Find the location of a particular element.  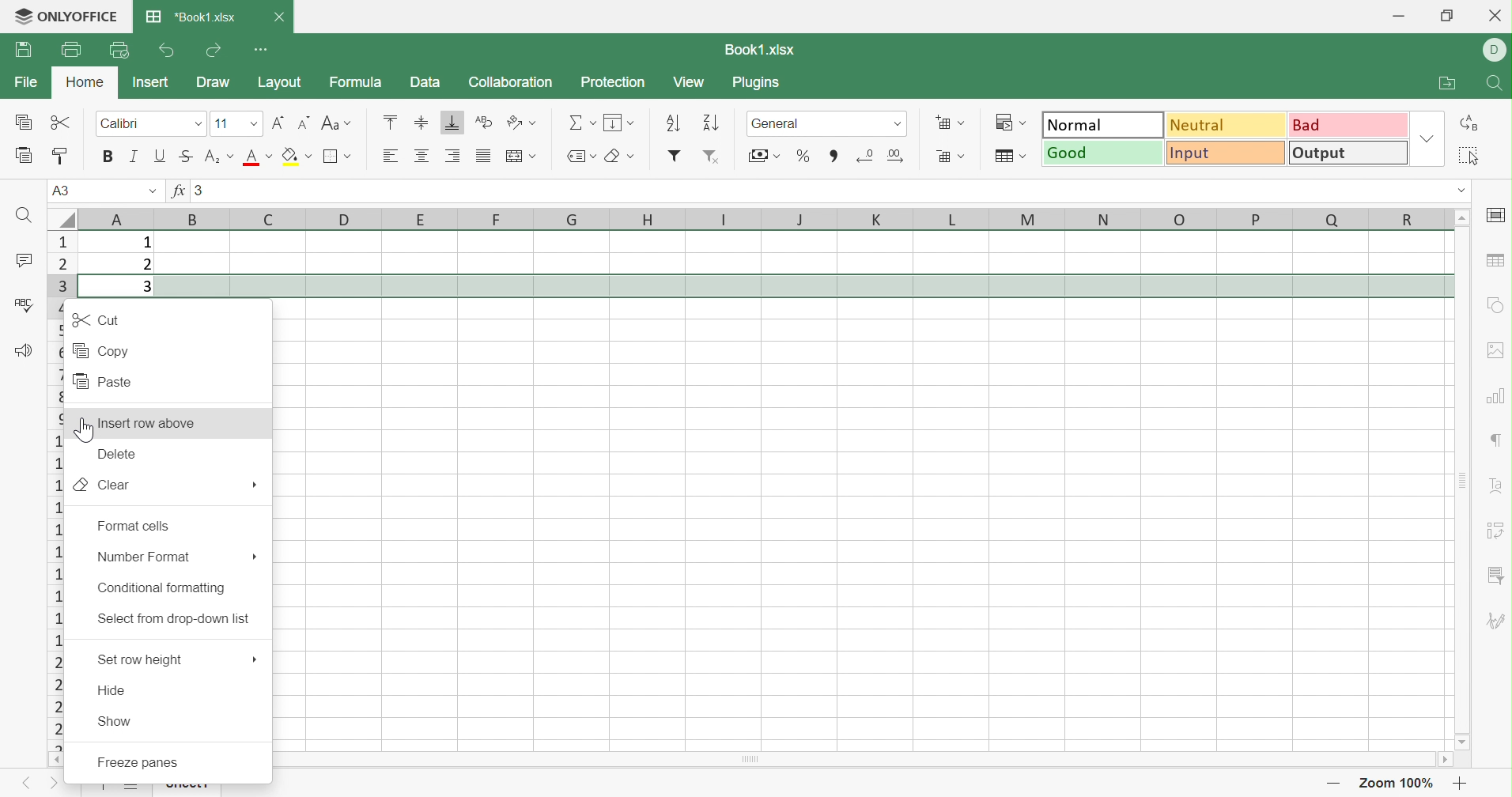

Increment in font size is located at coordinates (277, 121).